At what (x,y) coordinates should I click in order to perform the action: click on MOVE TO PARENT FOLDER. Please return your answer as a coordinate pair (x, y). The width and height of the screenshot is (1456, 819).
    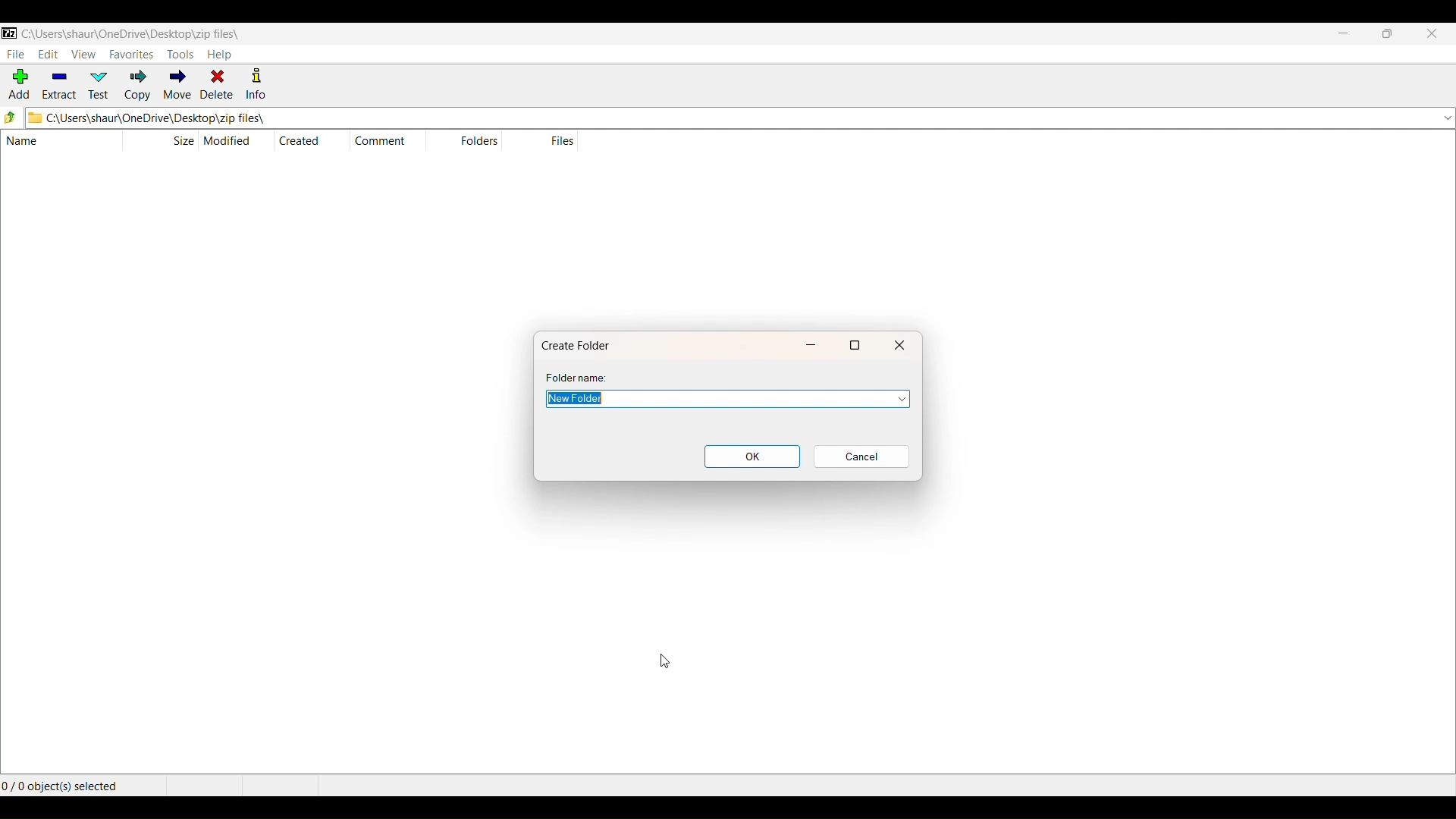
    Looking at the image, I should click on (11, 118).